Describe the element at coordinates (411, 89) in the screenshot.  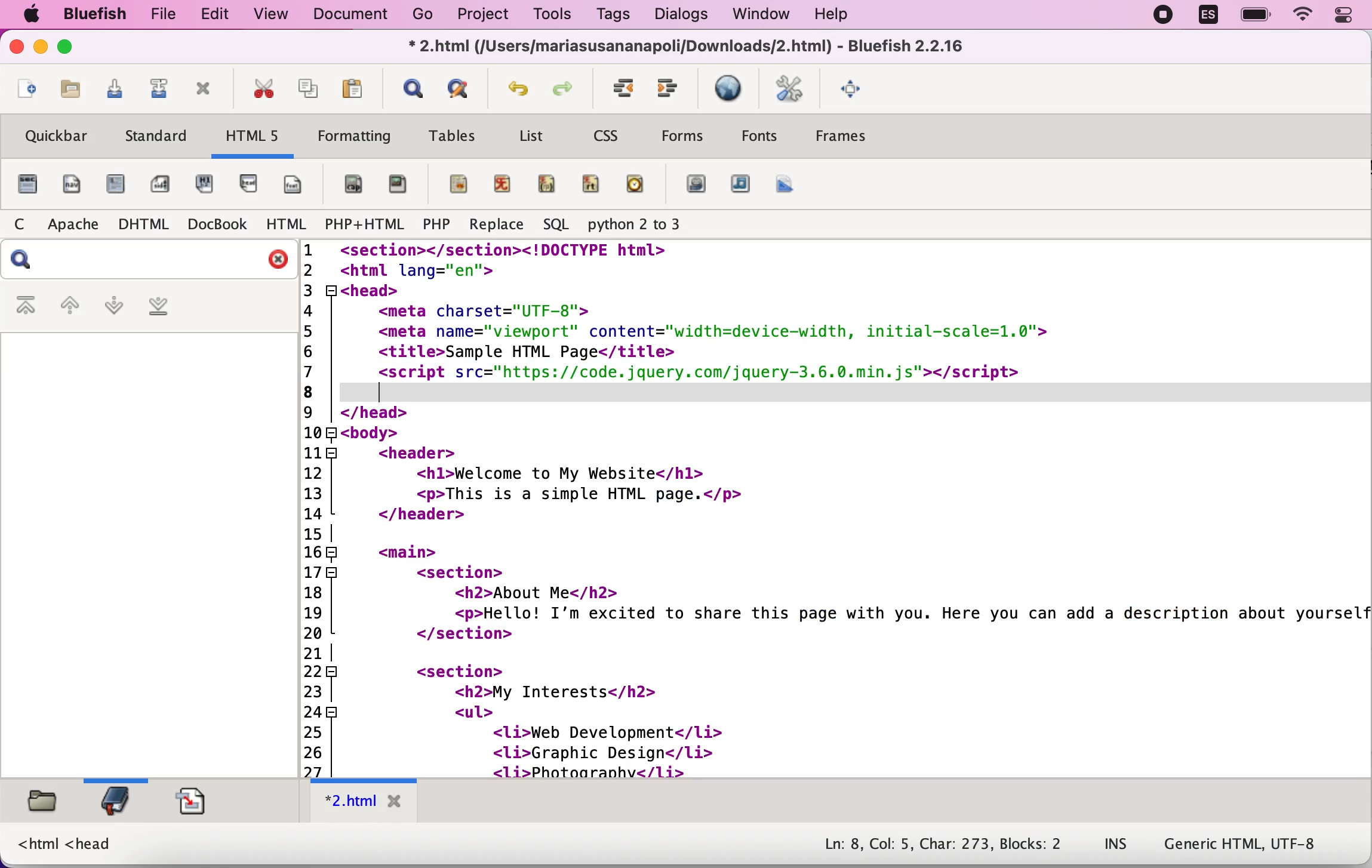
I see `show find bar` at that location.